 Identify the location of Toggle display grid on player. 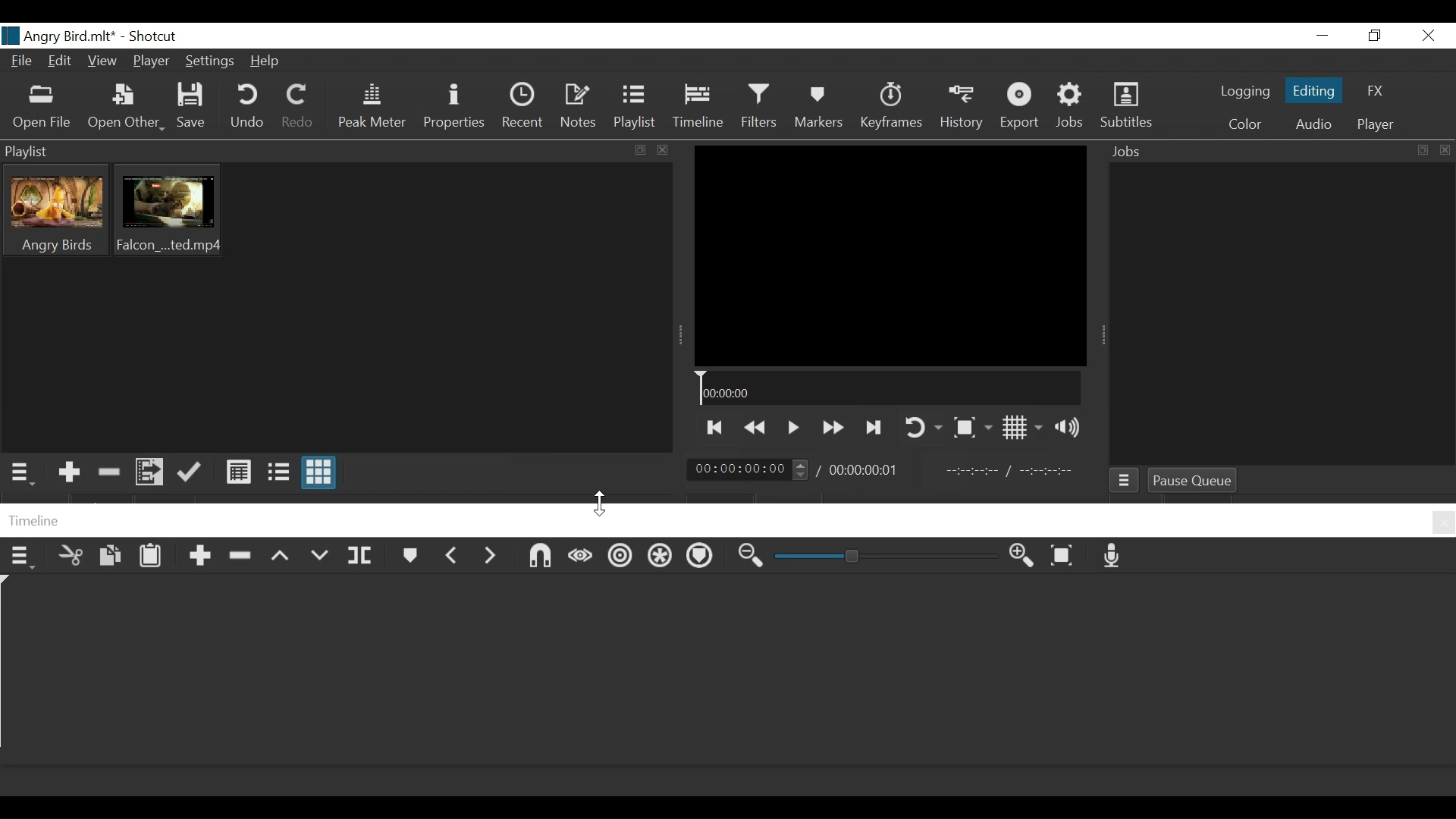
(1025, 428).